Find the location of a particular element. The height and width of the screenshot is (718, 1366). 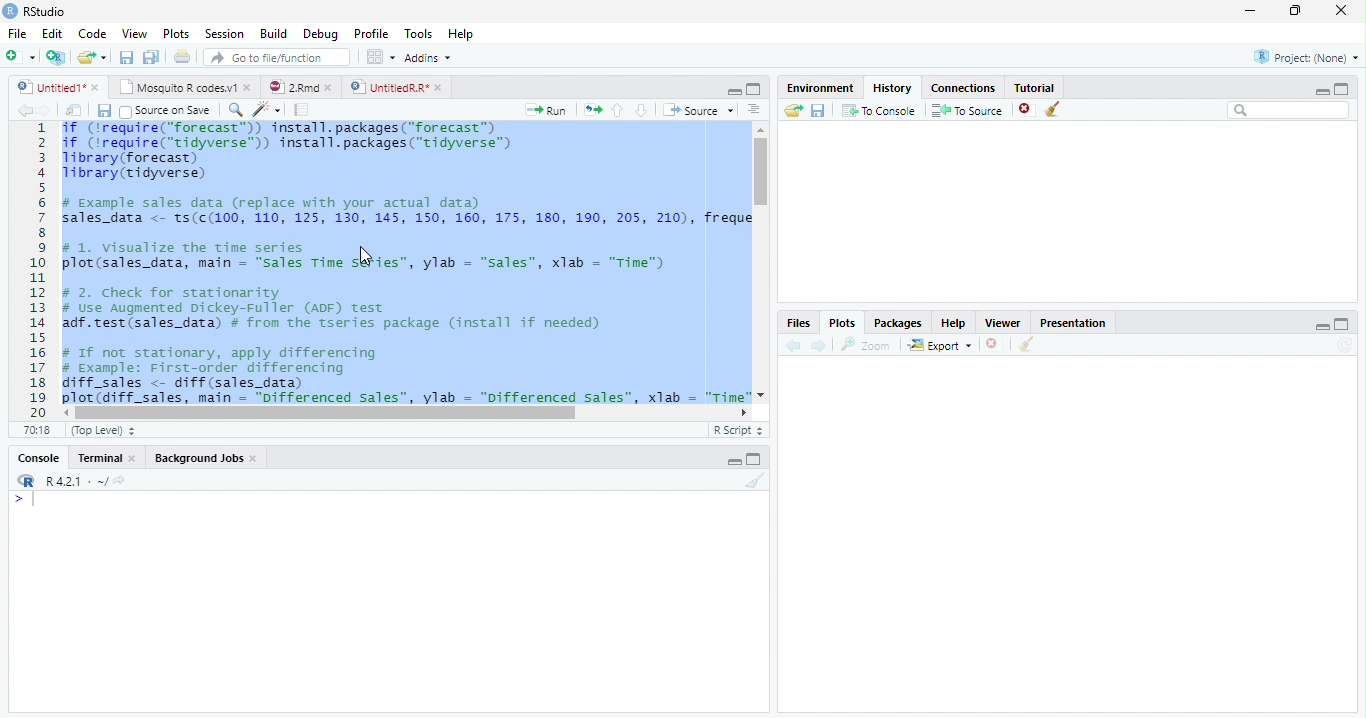

UntitledR.R is located at coordinates (400, 88).